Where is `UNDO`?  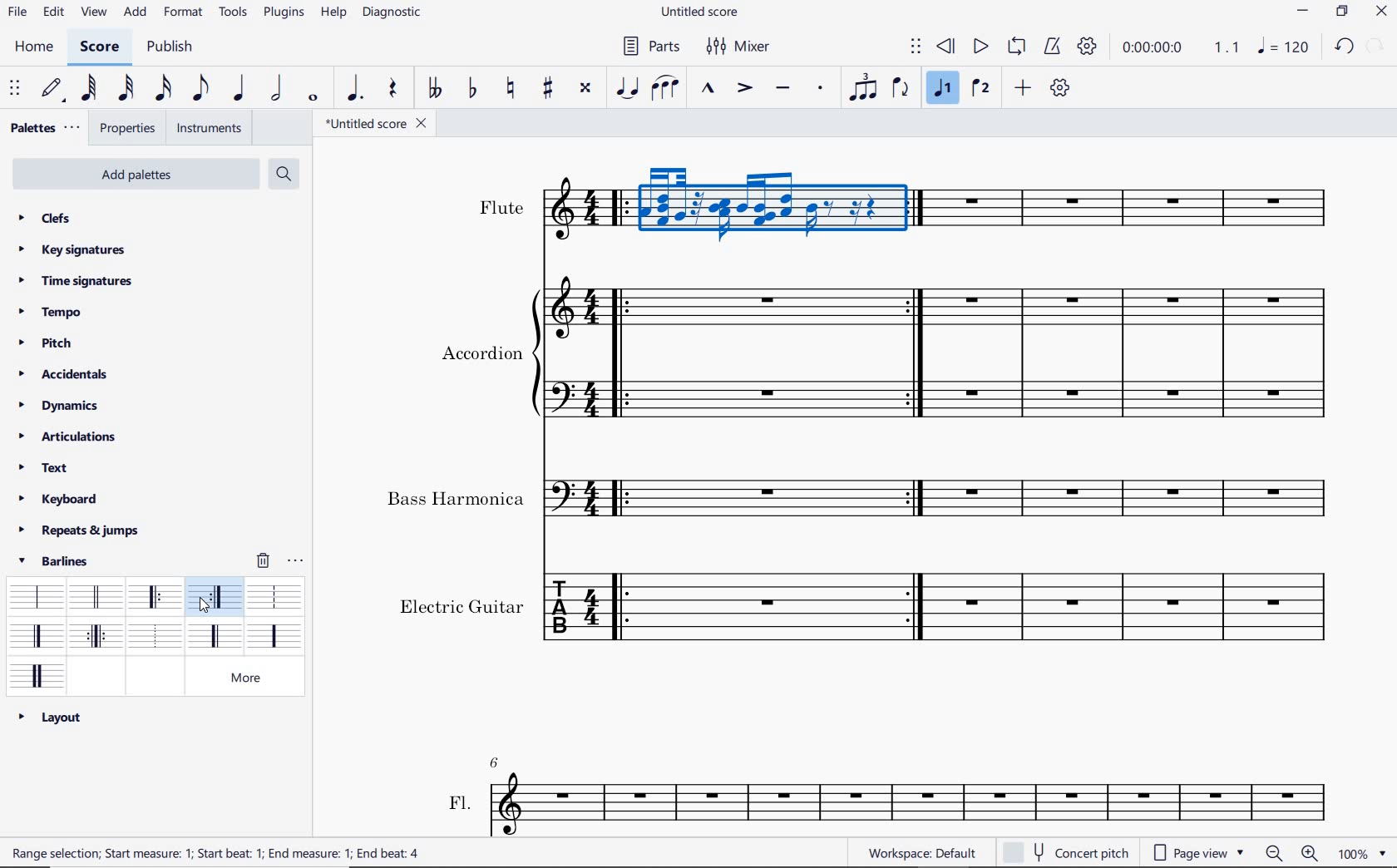
UNDO is located at coordinates (1342, 46).